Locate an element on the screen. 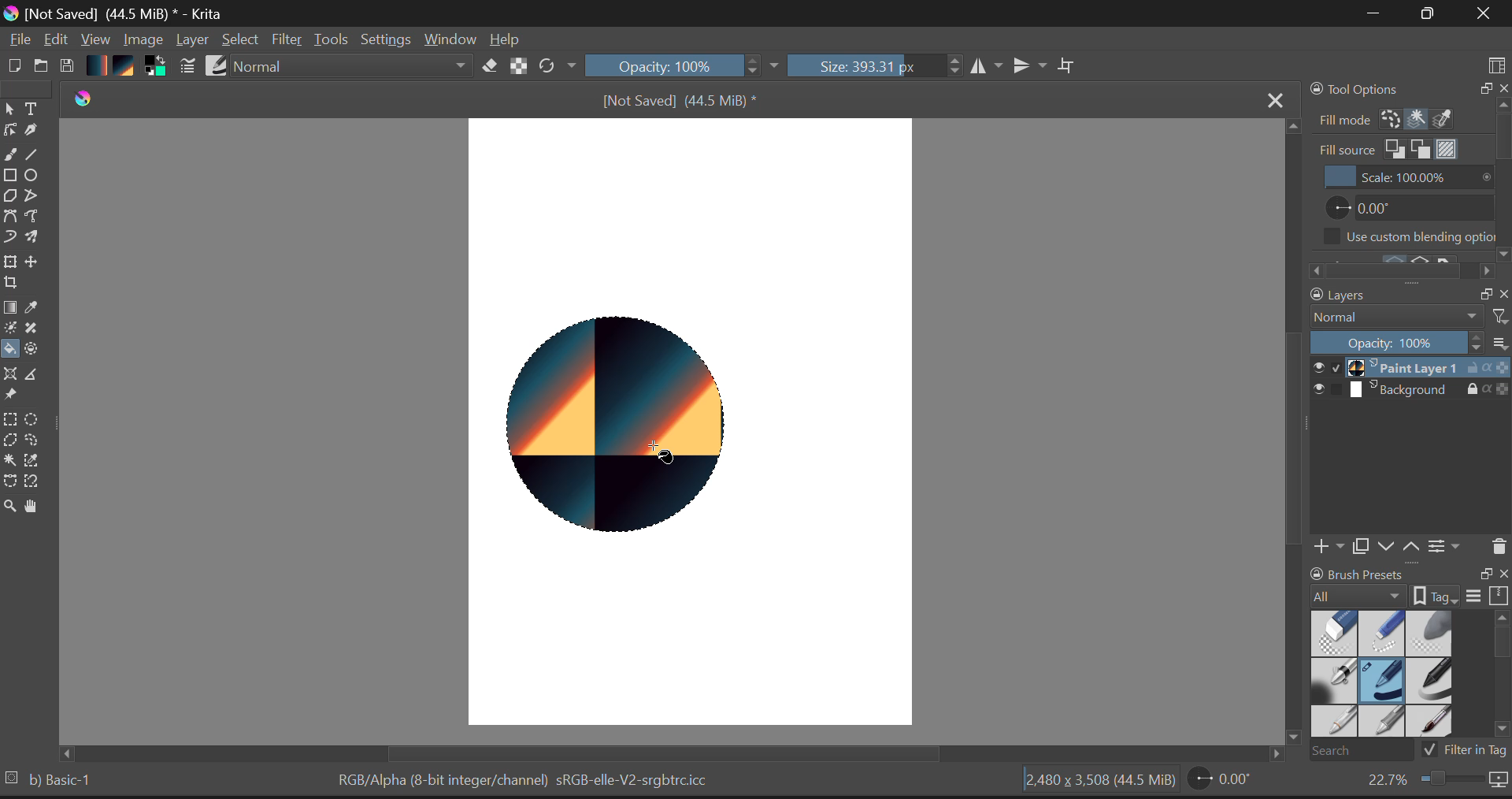  Edit is located at coordinates (57, 40).